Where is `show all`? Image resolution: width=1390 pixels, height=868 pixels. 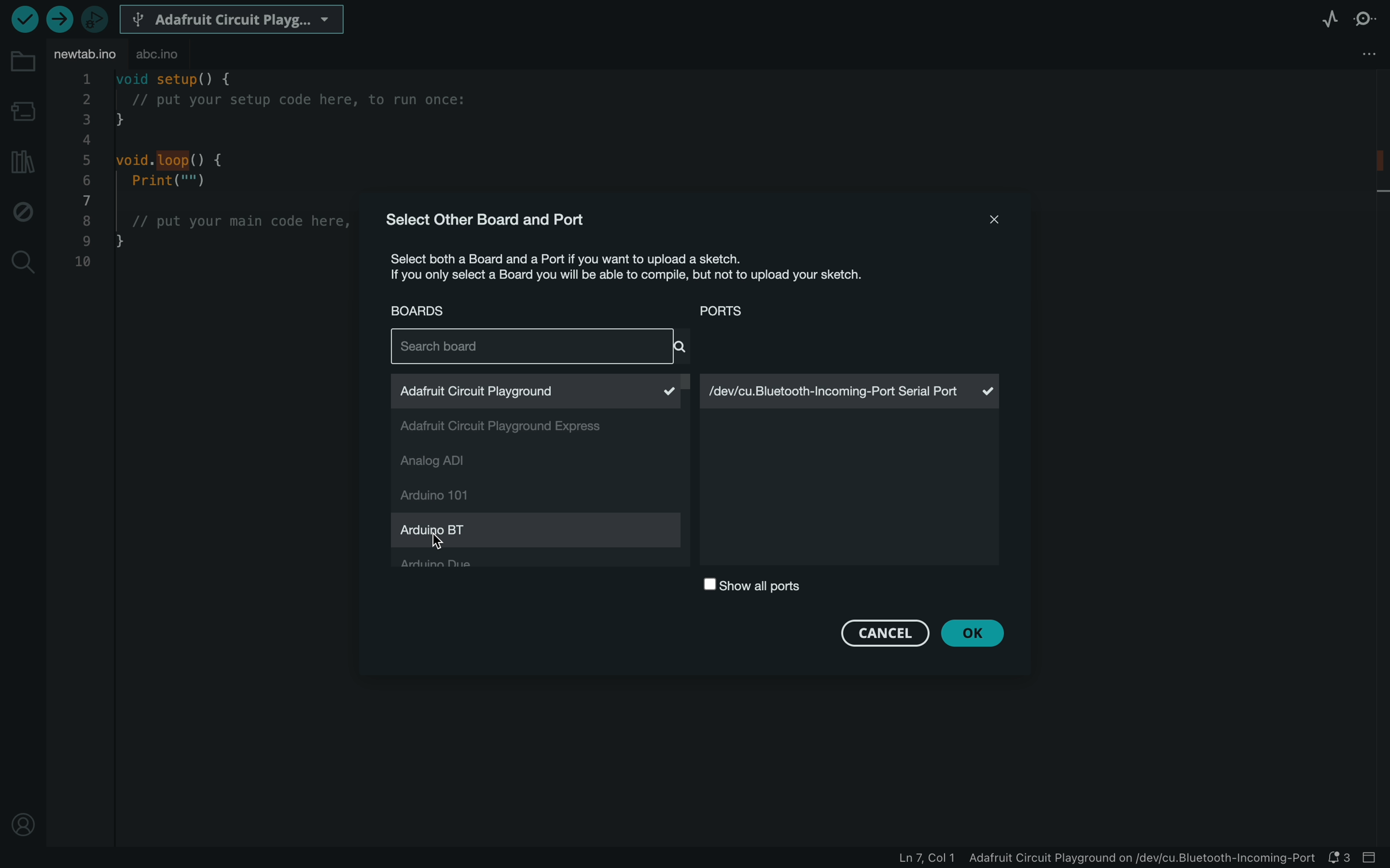 show all is located at coordinates (759, 588).